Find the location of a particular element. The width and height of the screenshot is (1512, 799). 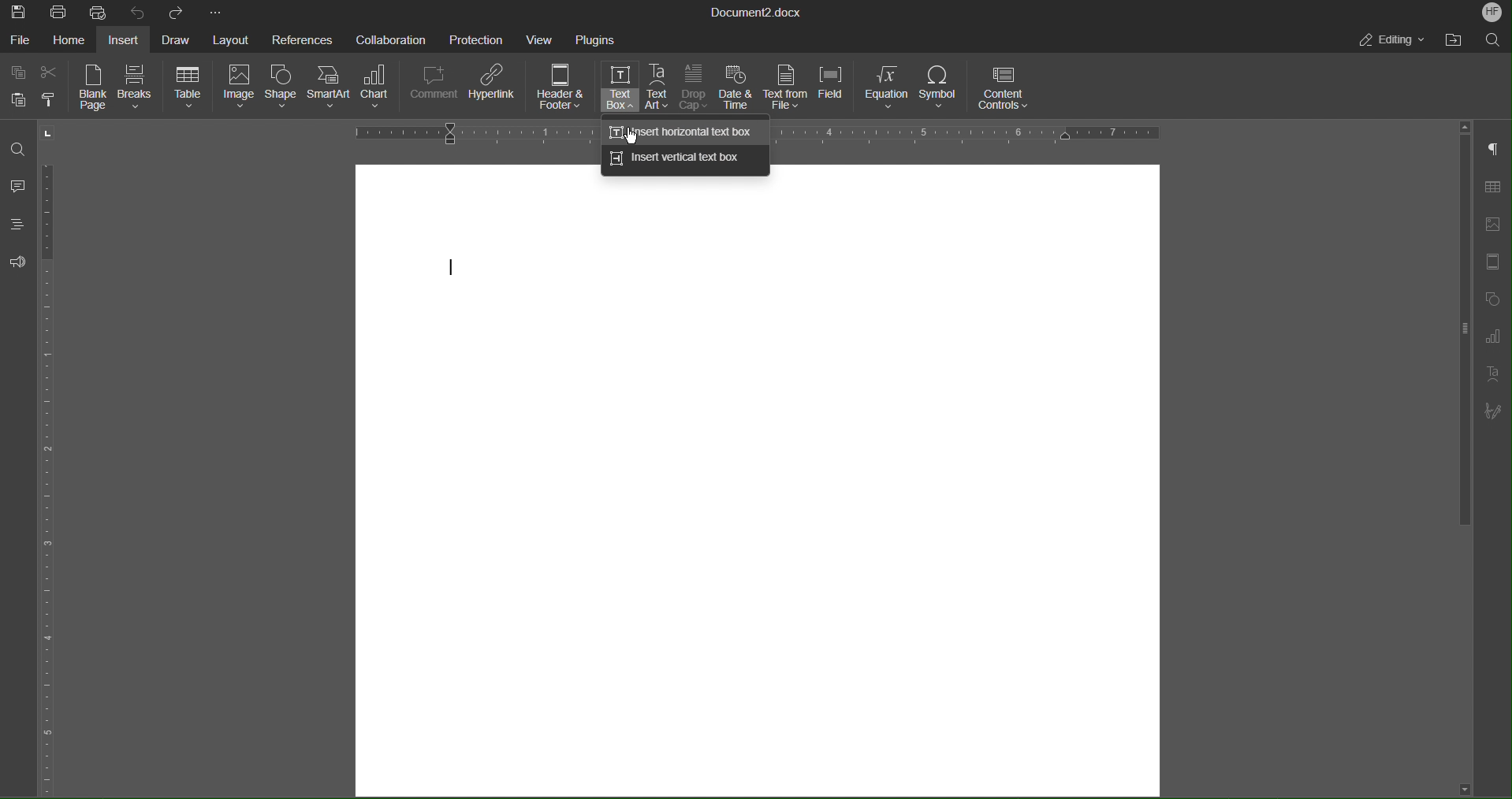

Copy Style is located at coordinates (54, 100).